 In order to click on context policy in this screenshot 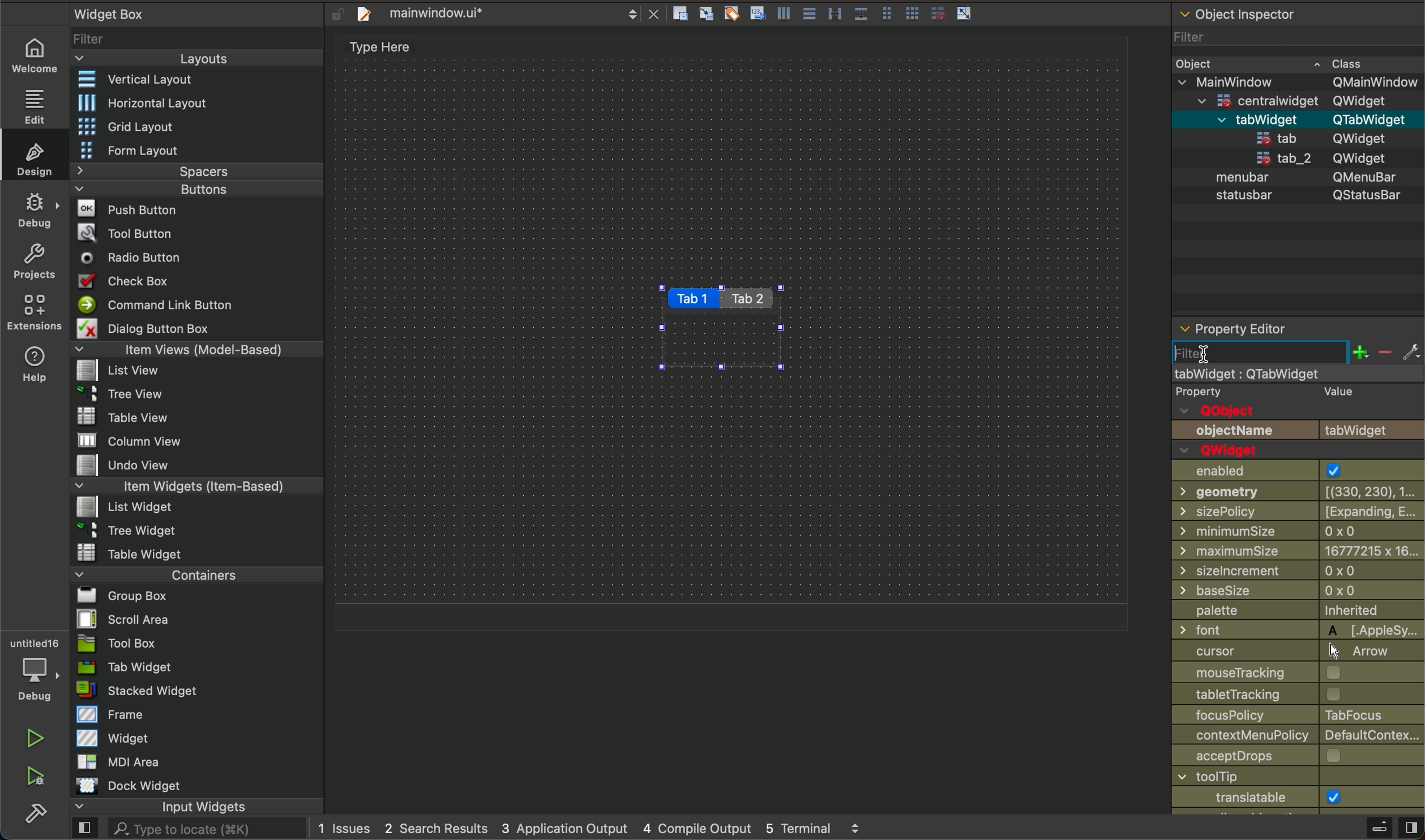, I will do `click(1298, 735)`.